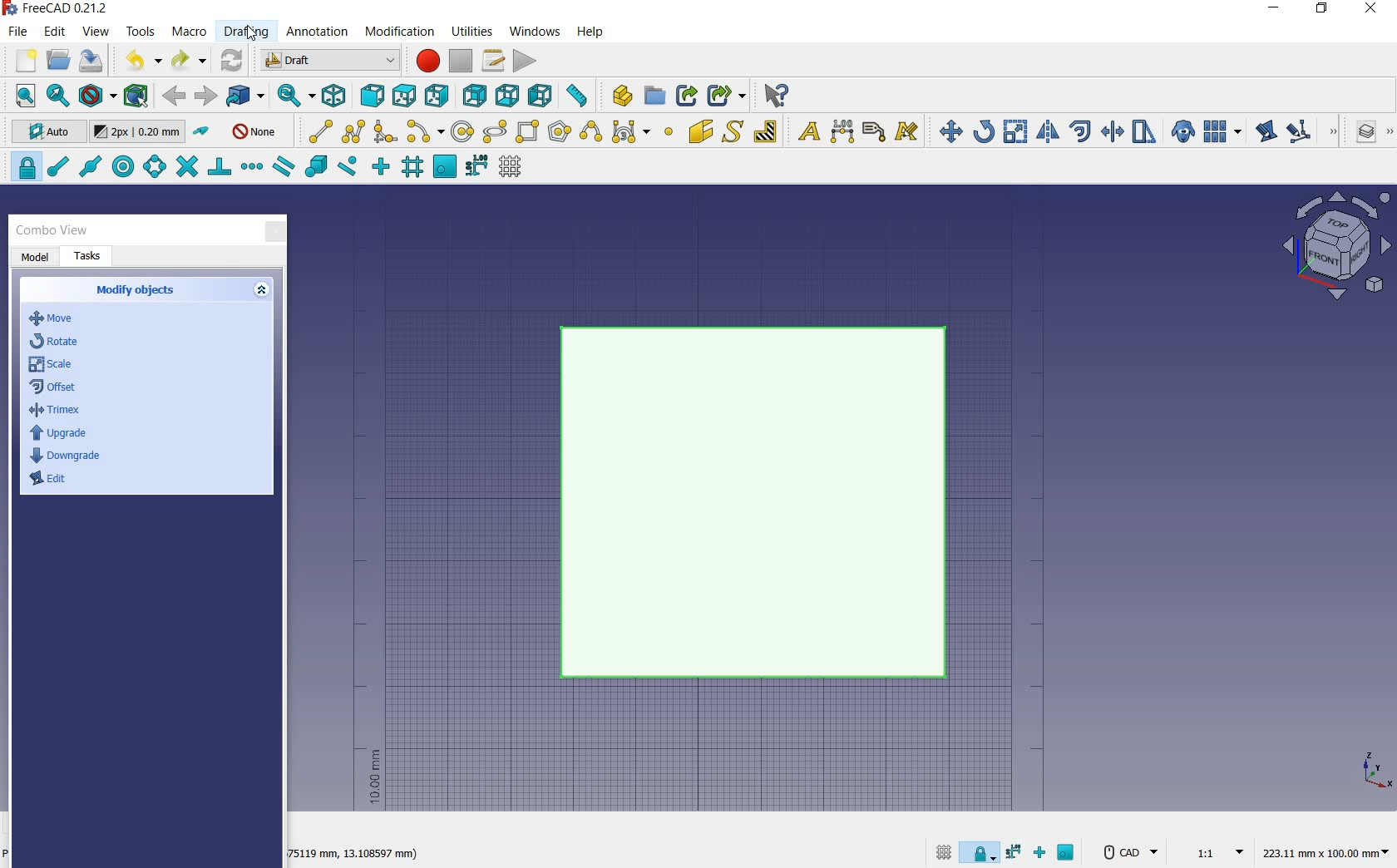 Image resolution: width=1397 pixels, height=868 pixels. Describe the element at coordinates (330, 61) in the screenshot. I see `switch between workbenches` at that location.